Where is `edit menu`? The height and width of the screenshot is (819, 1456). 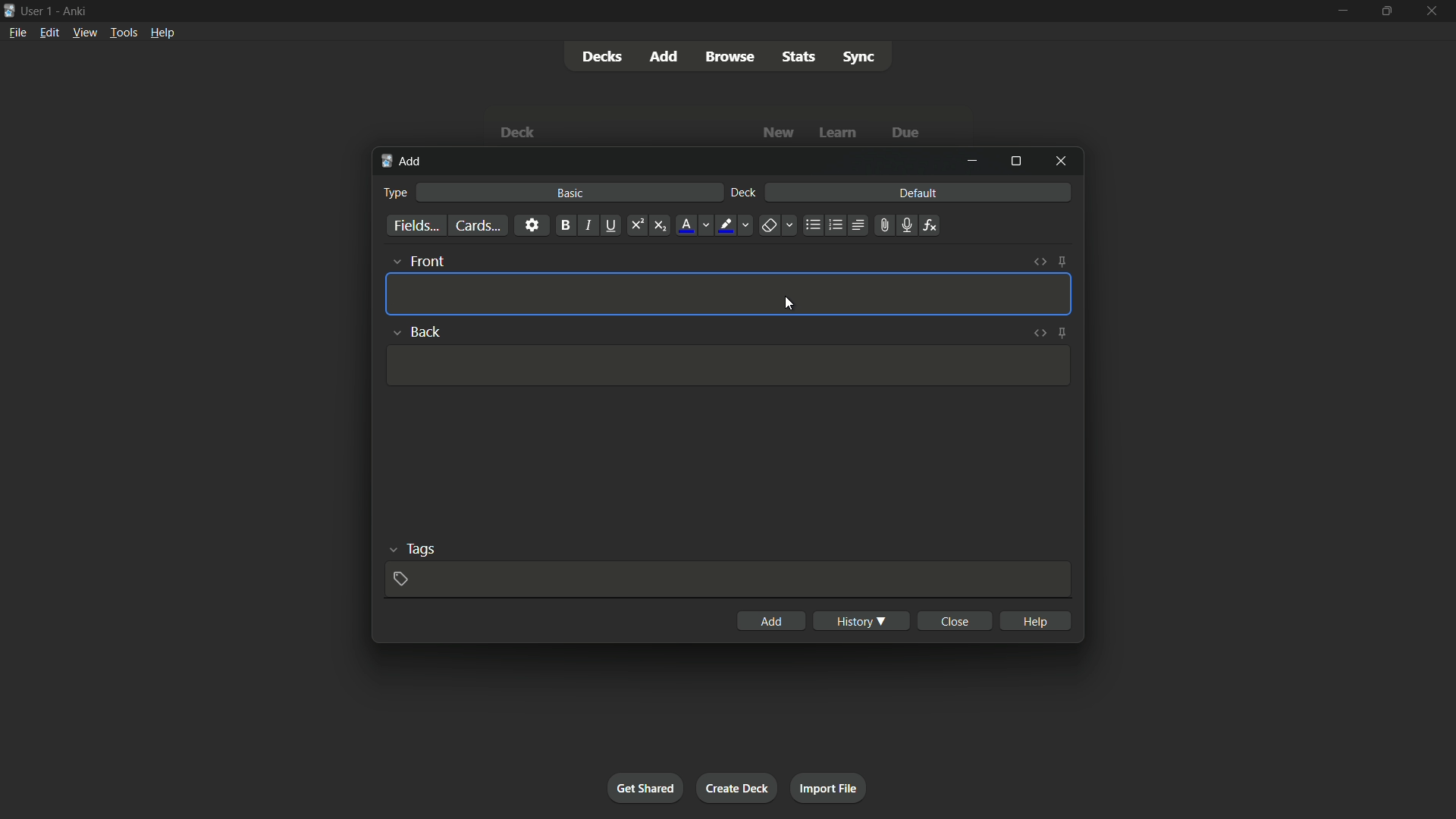
edit menu is located at coordinates (50, 32).